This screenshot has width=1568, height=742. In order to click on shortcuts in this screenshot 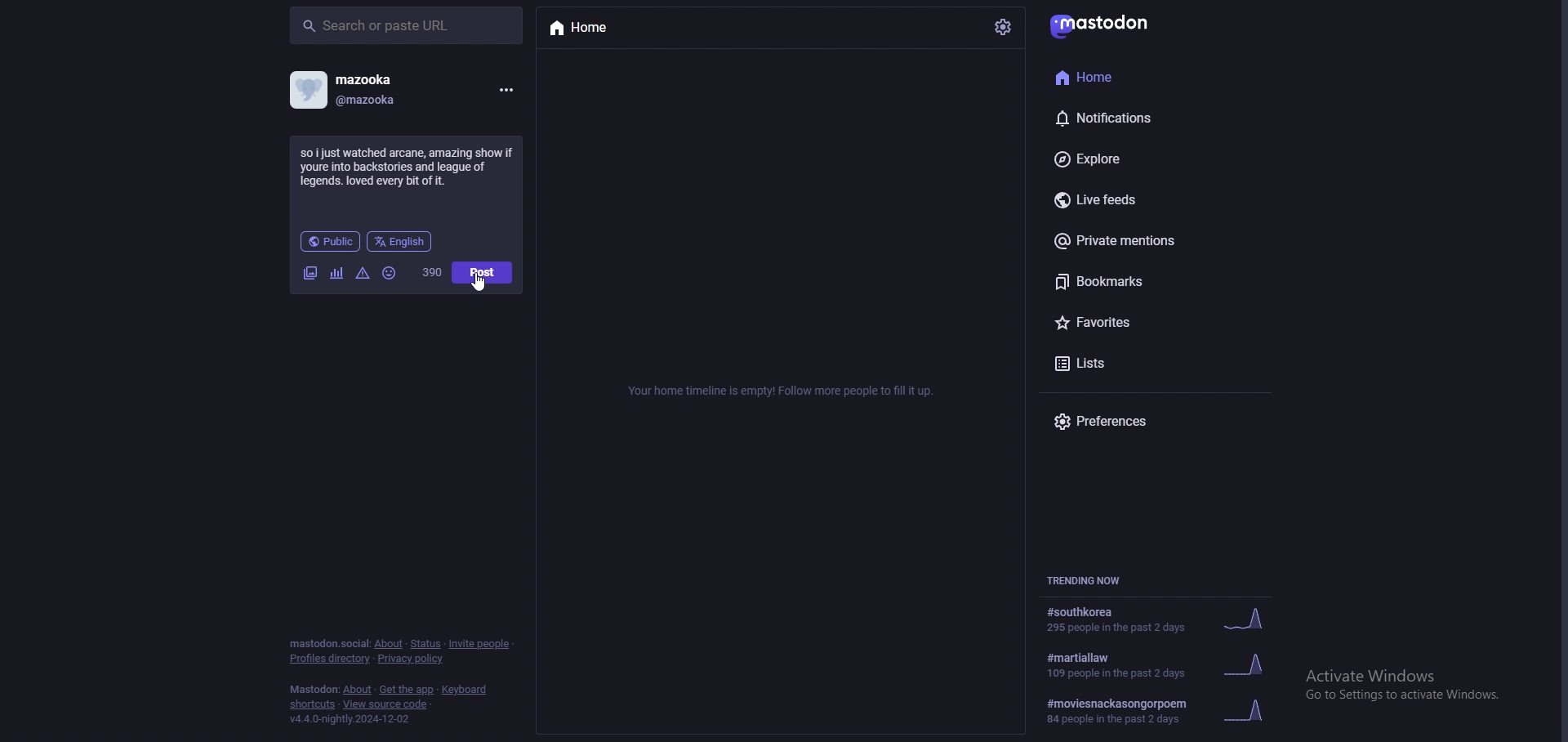, I will do `click(310, 705)`.